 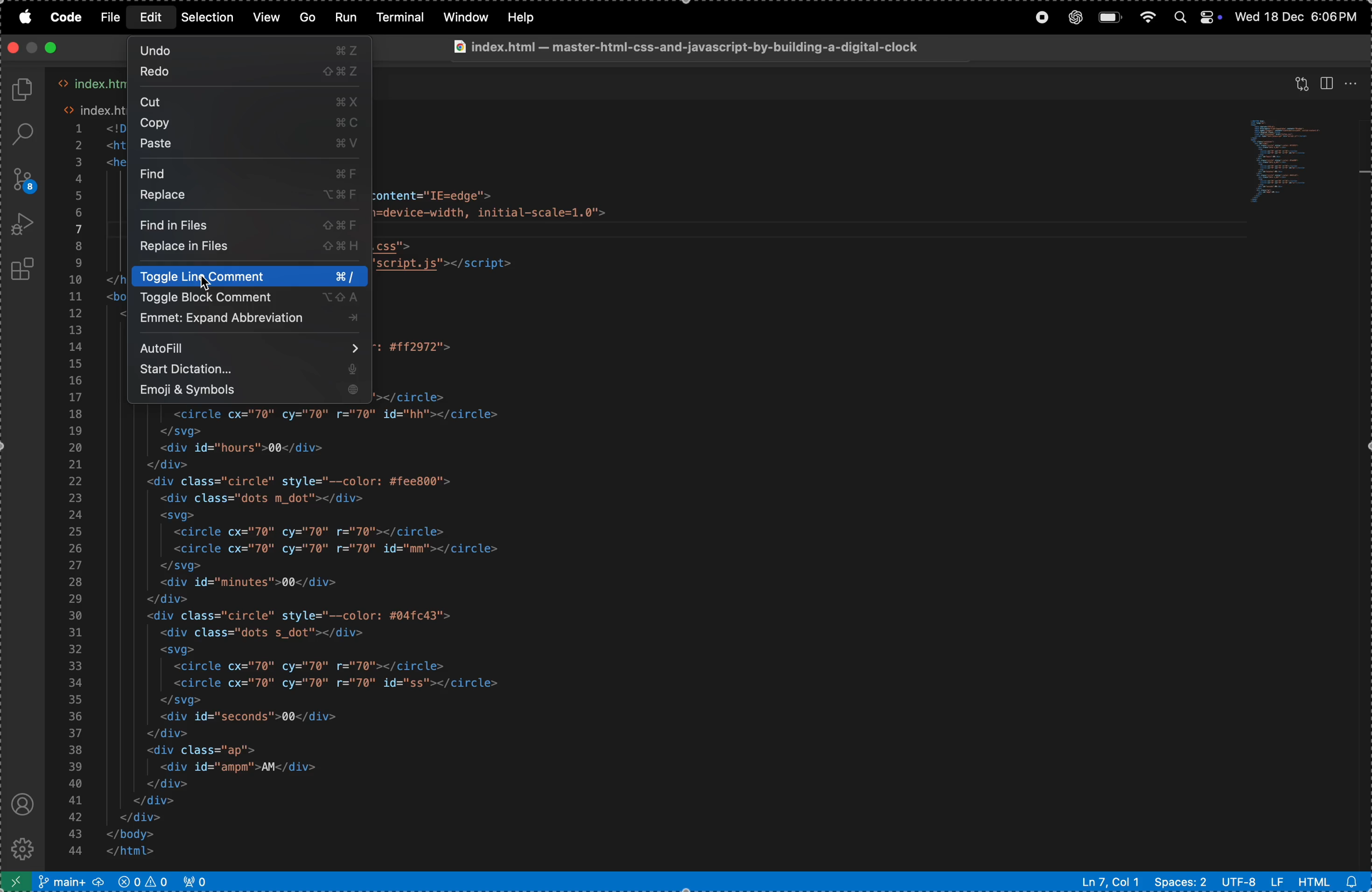 I want to click on paste, so click(x=250, y=145).